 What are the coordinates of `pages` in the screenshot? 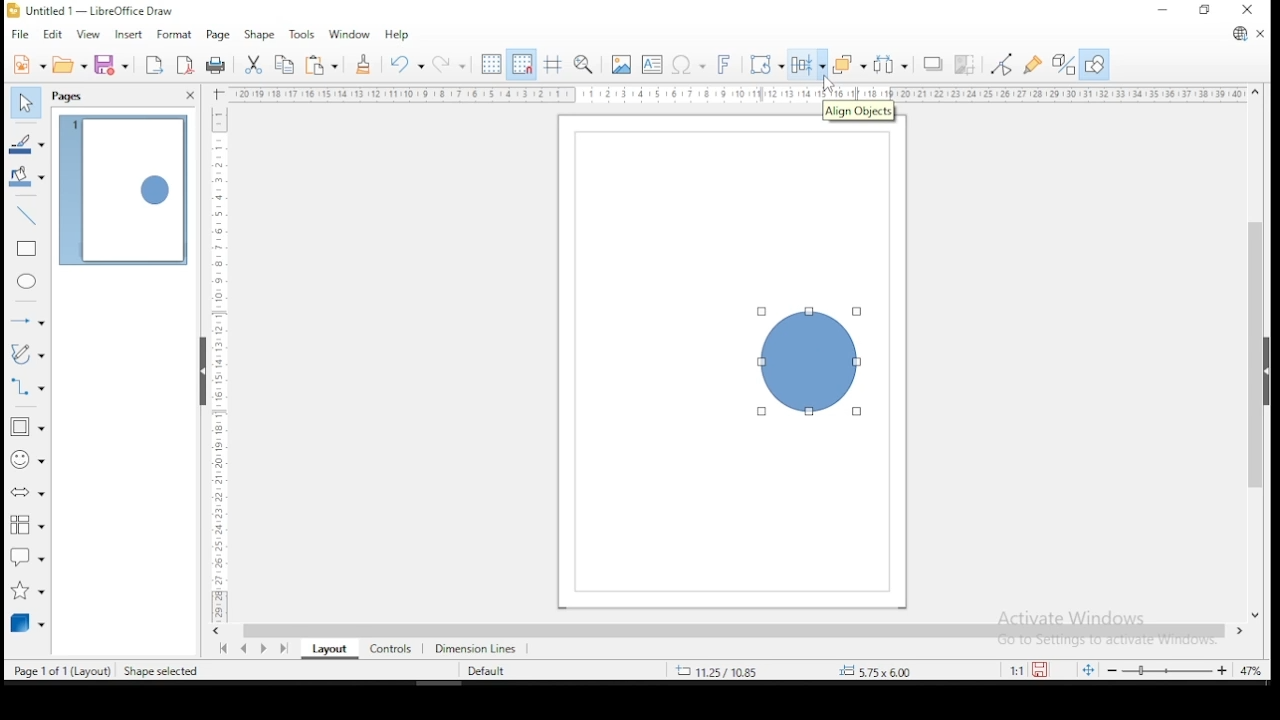 It's located at (70, 97).